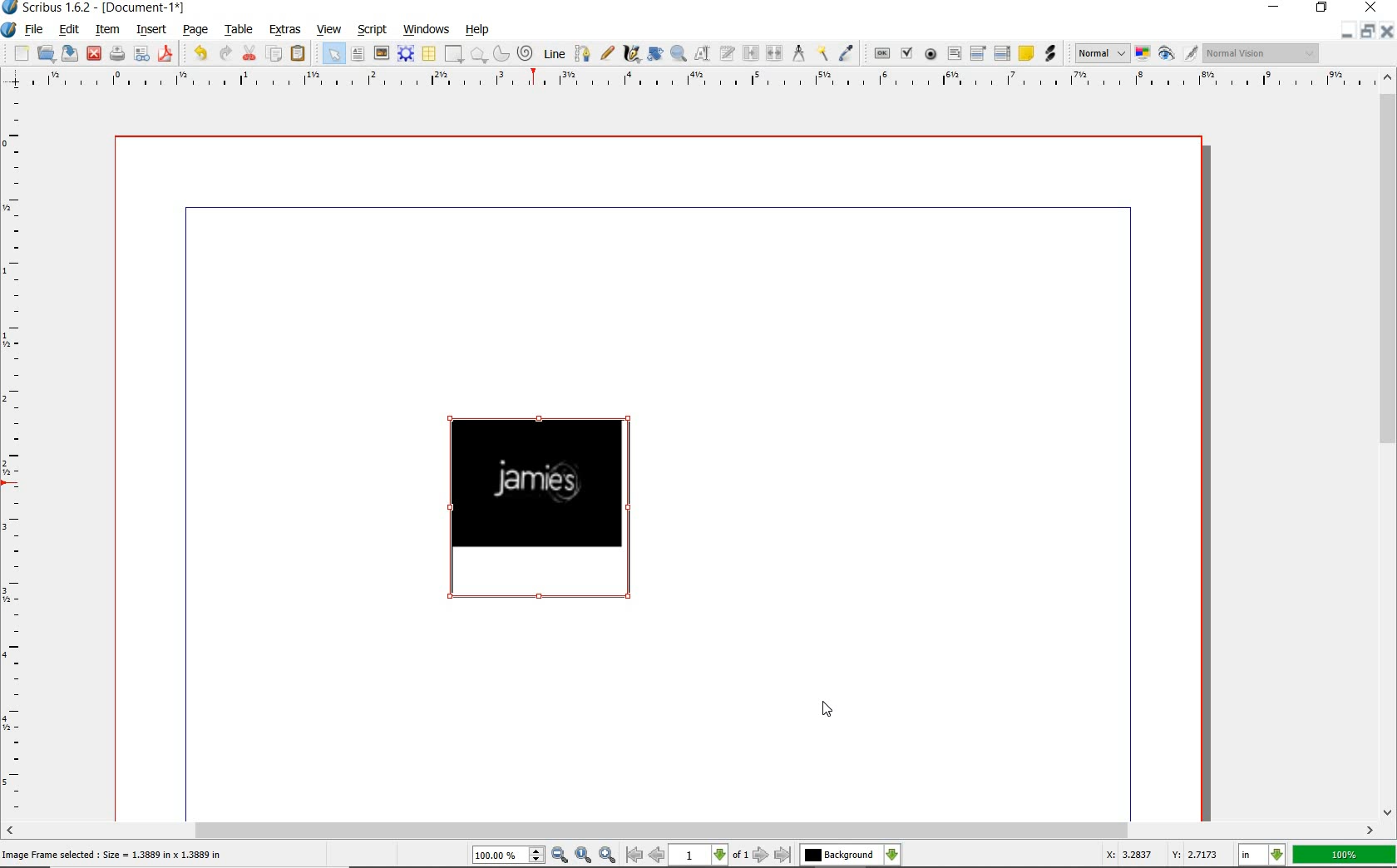 This screenshot has height=868, width=1397. Describe the element at coordinates (583, 54) in the screenshot. I see `Bezier curve` at that location.